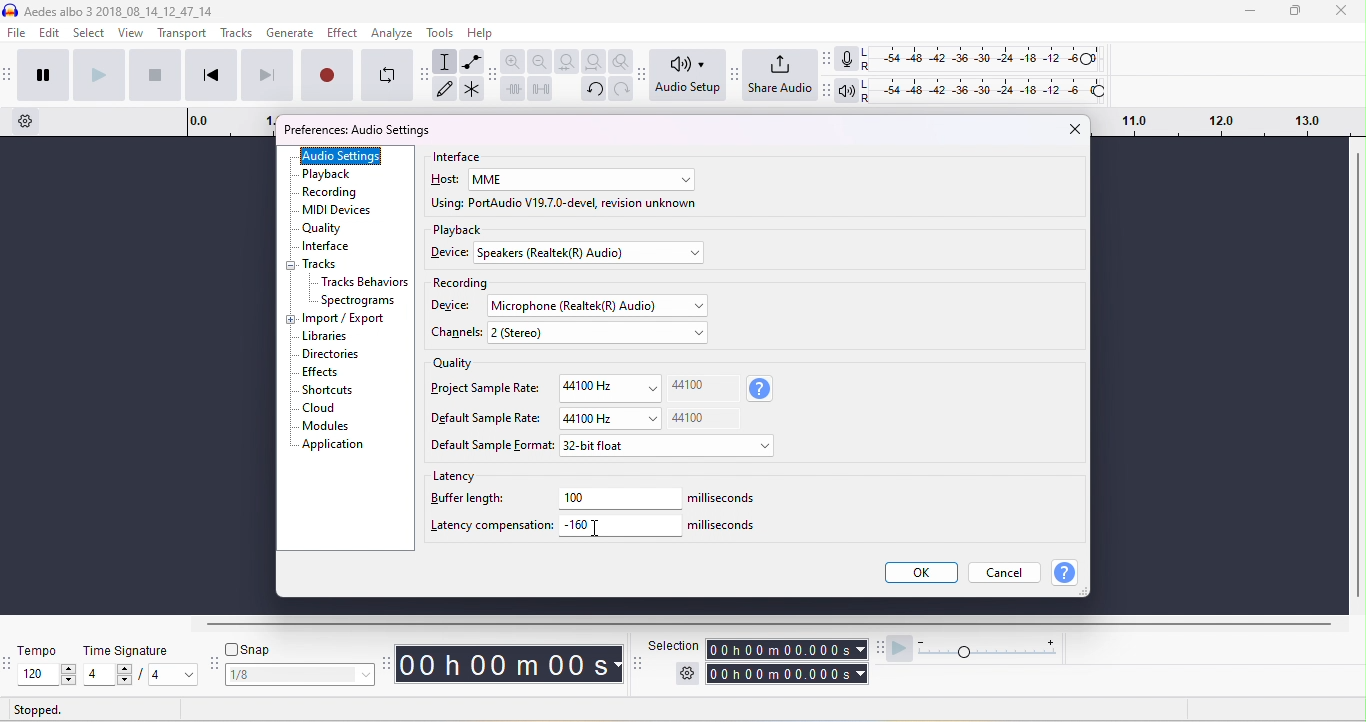 The height and width of the screenshot is (722, 1366). What do you see at coordinates (828, 91) in the screenshot?
I see `Audacity playback meter toolbar` at bounding box center [828, 91].